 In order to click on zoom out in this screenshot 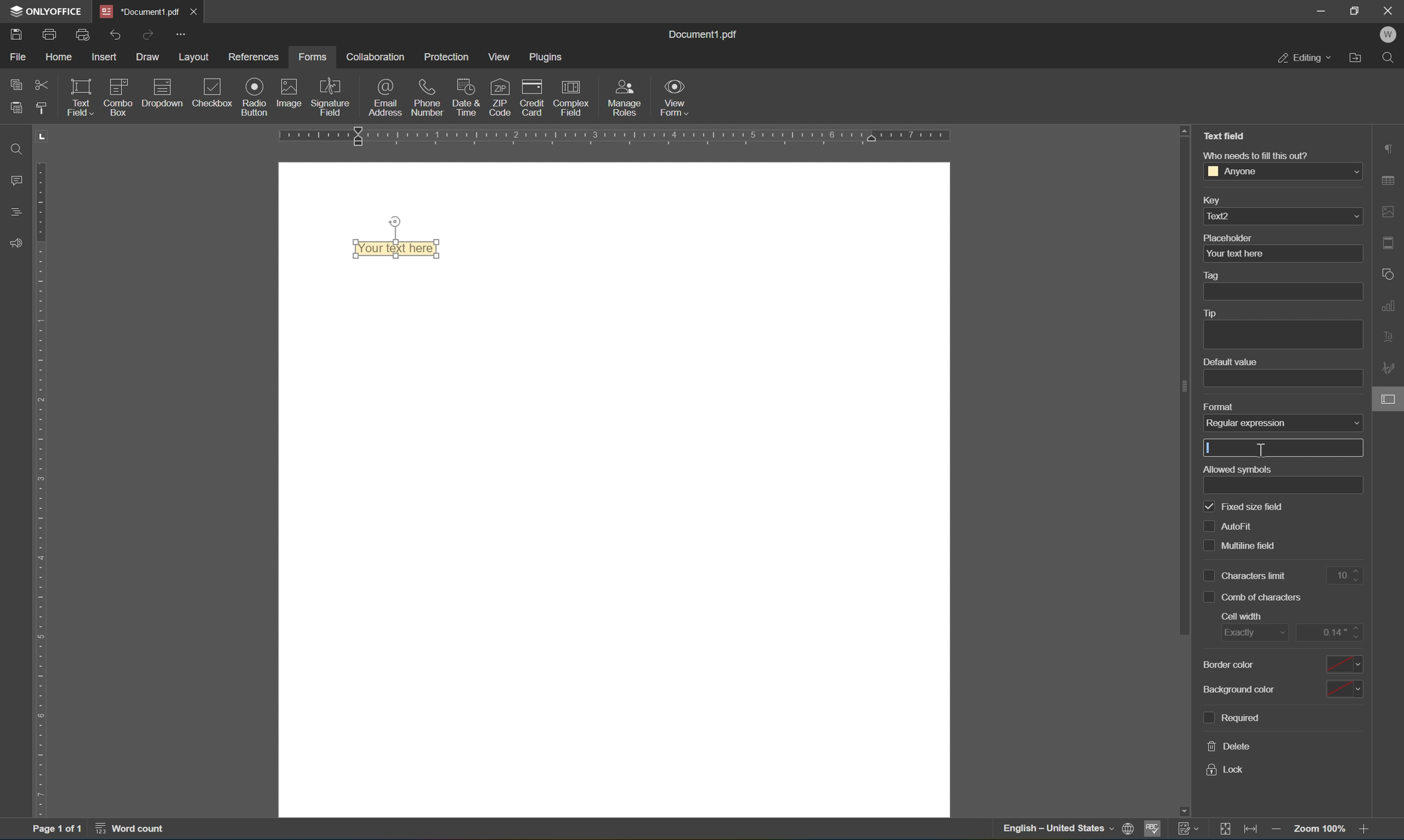, I will do `click(1278, 830)`.